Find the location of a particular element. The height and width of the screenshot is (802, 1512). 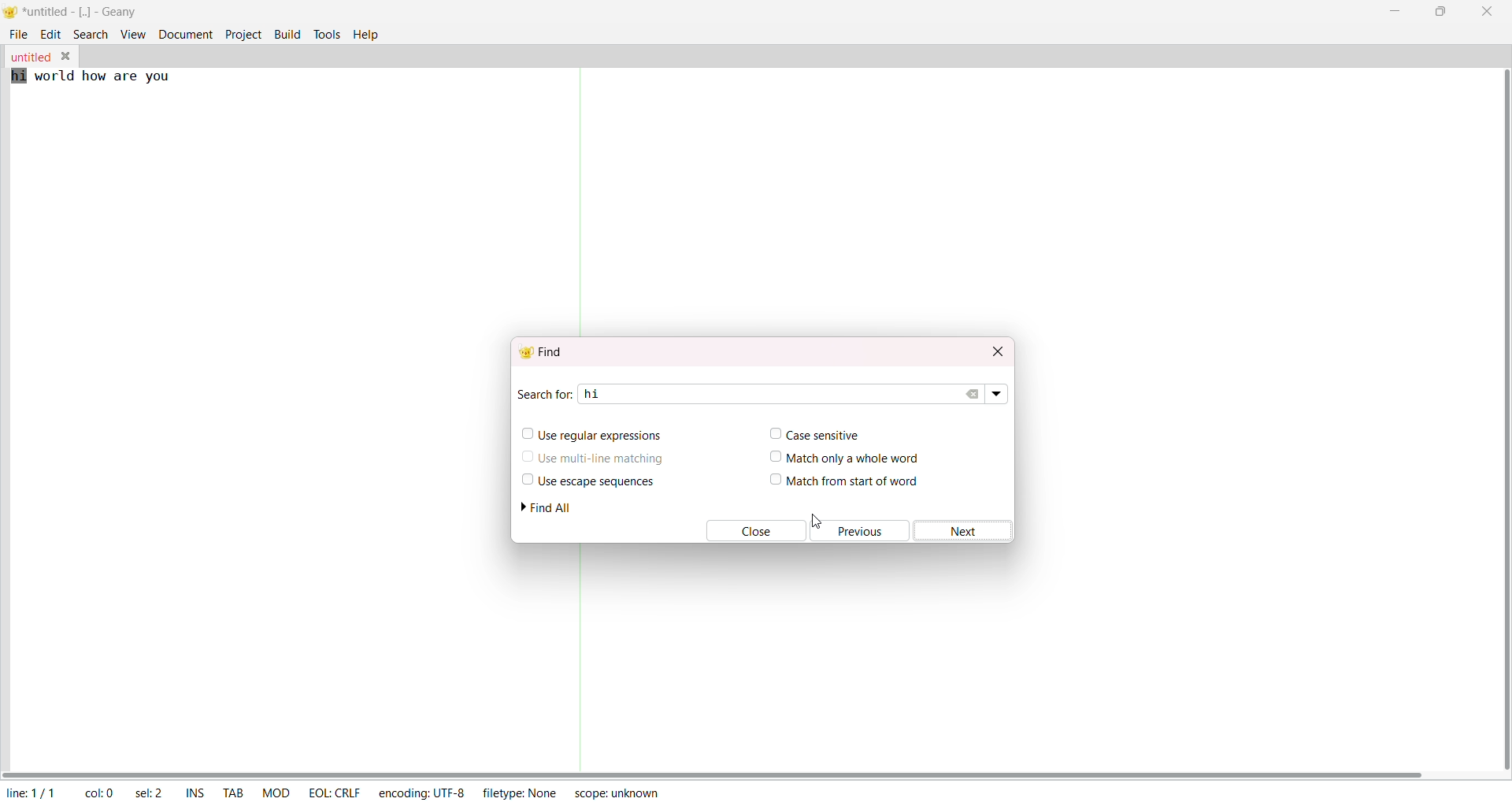

close is located at coordinates (746, 530).